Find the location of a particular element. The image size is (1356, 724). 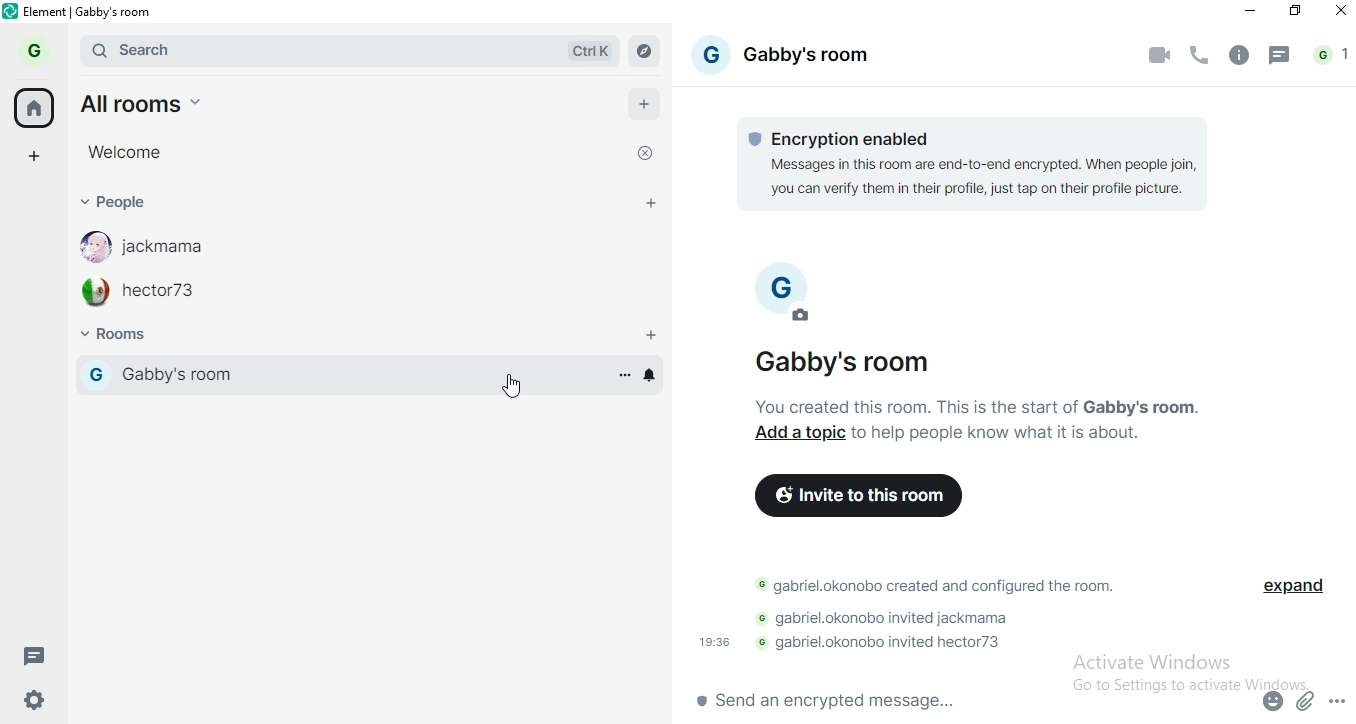

attachment is located at coordinates (1307, 700).